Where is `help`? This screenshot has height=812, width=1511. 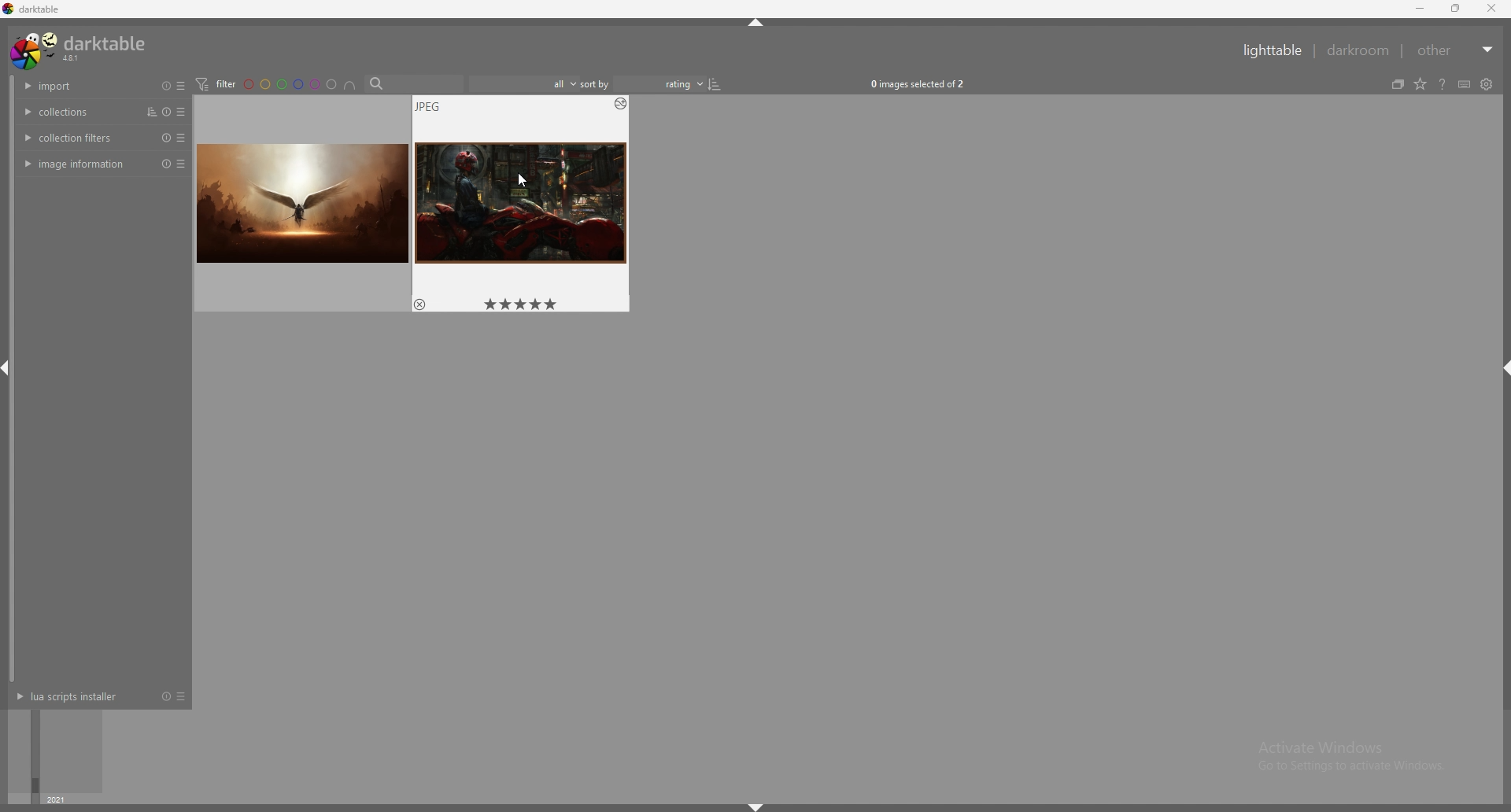
help is located at coordinates (1443, 84).